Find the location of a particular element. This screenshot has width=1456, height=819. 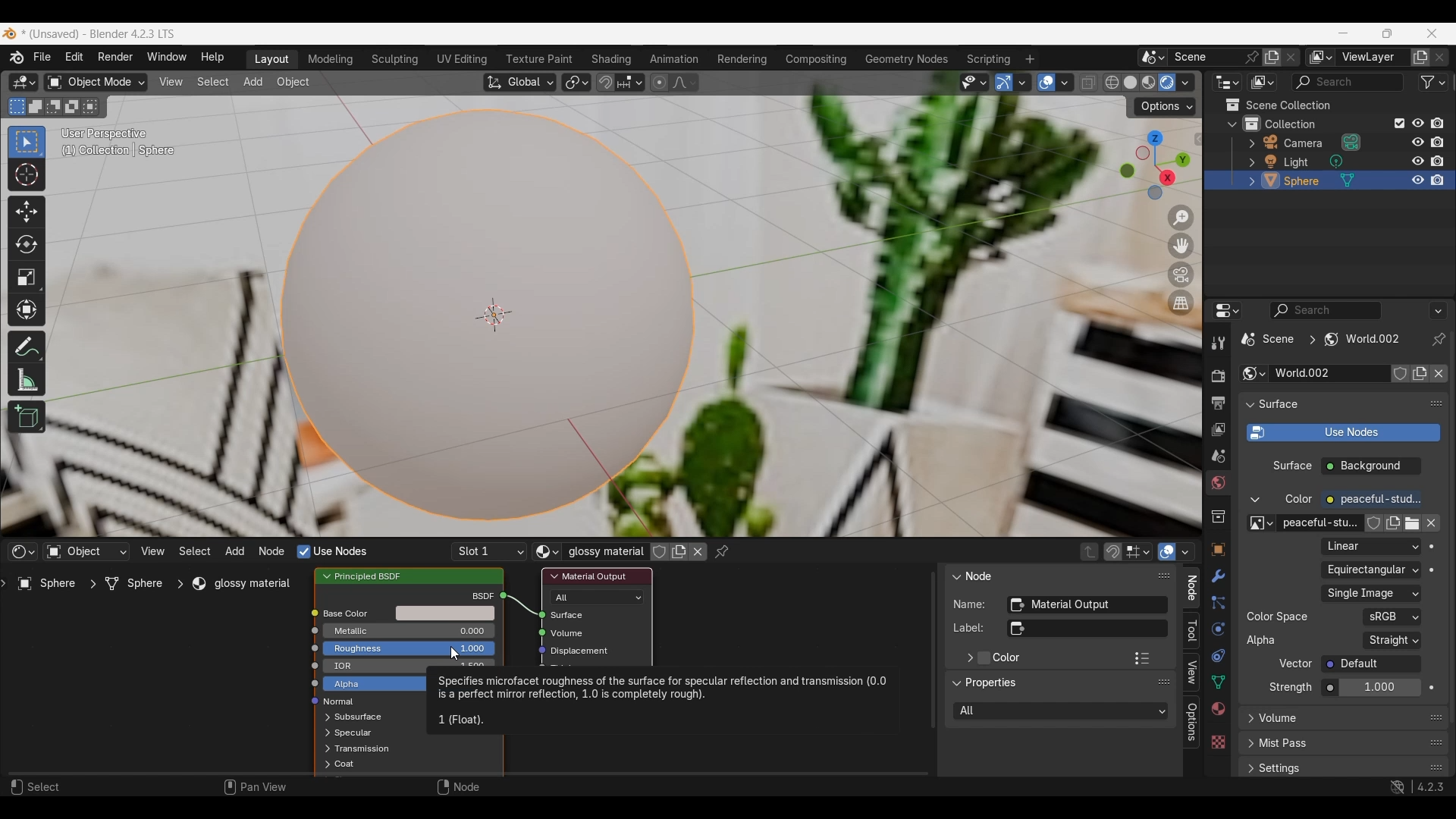

Coat options is located at coordinates (344, 764).